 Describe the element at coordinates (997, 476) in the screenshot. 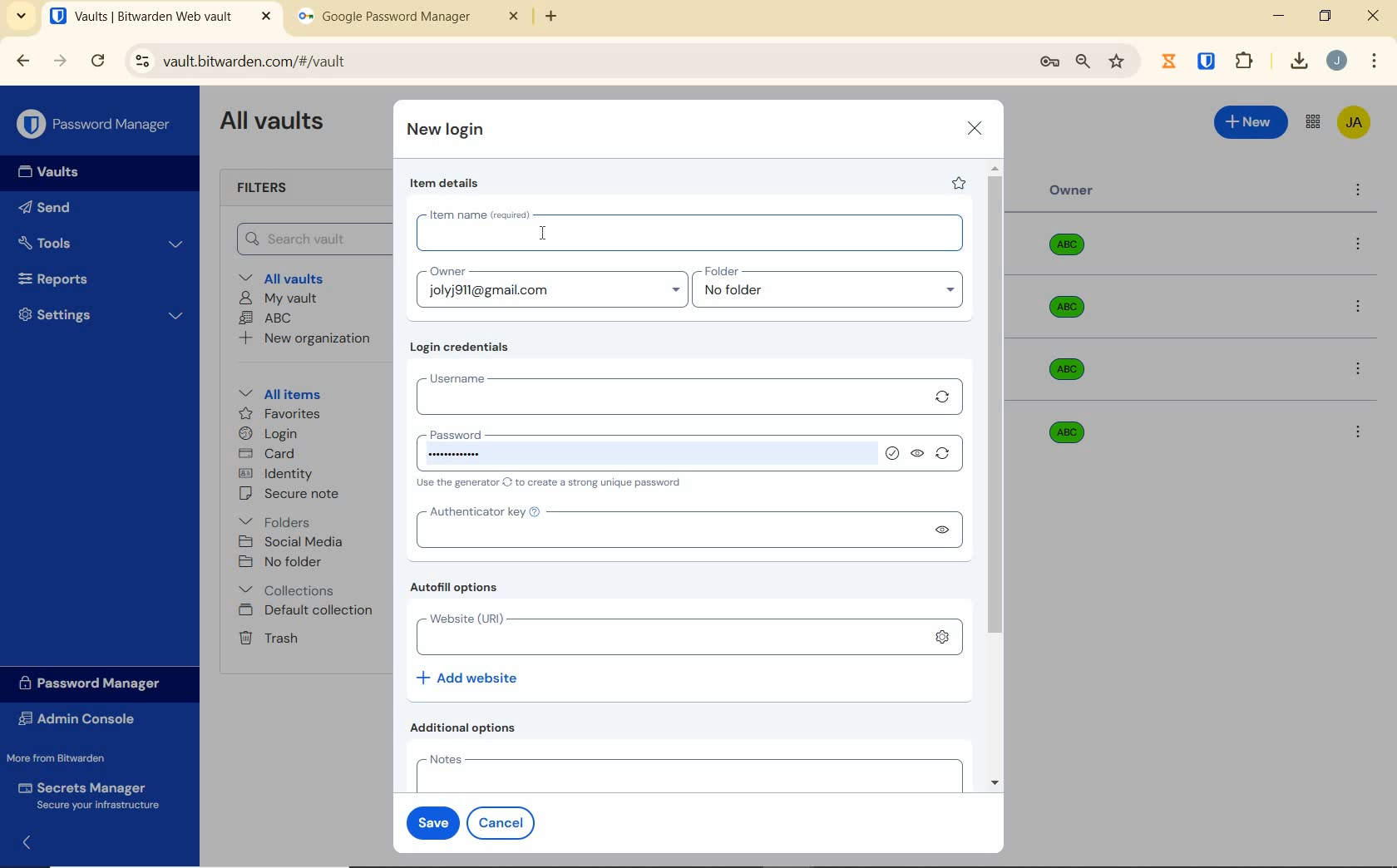

I see `scrollbar` at that location.